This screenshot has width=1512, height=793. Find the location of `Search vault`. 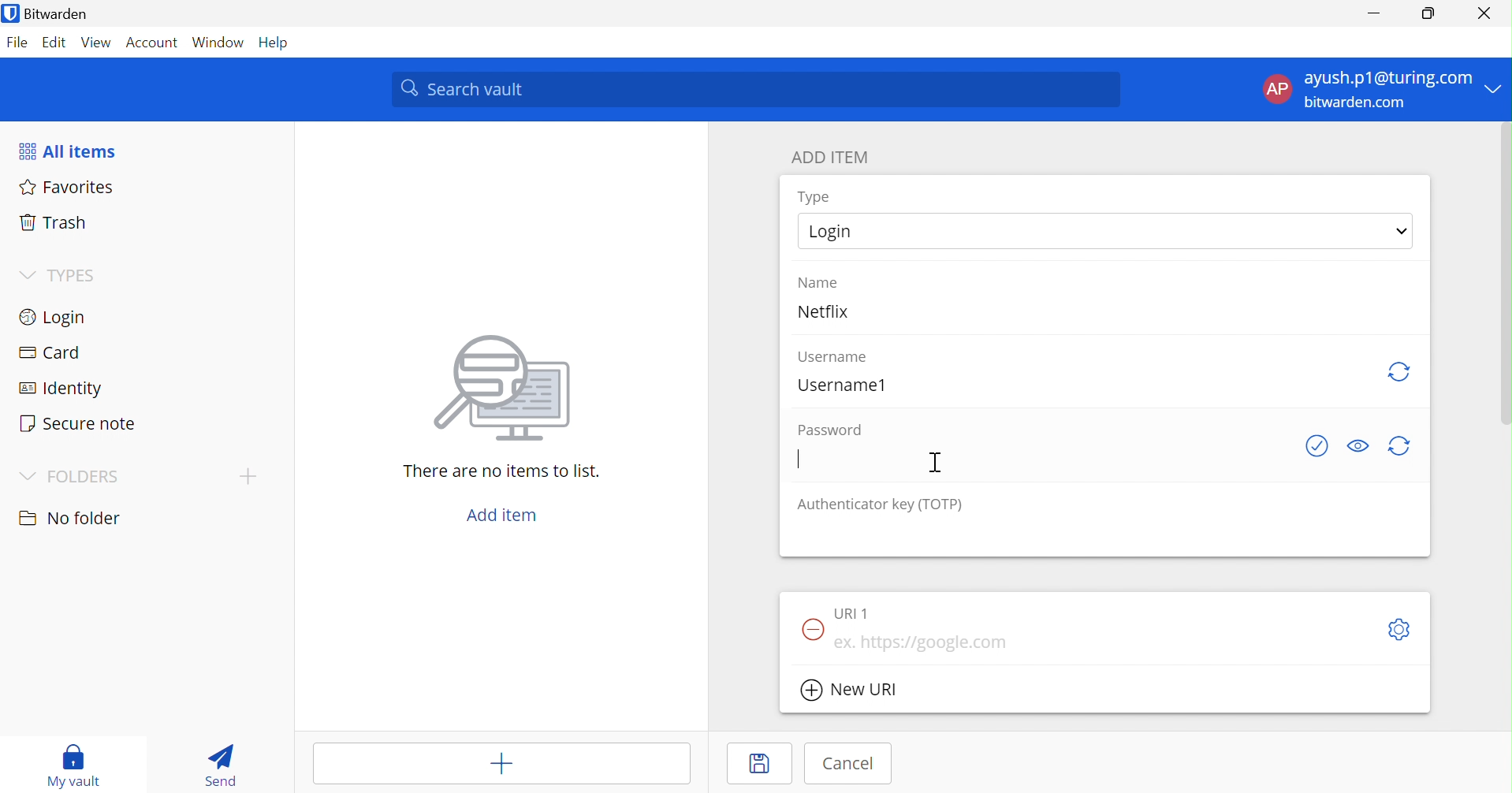

Search vault is located at coordinates (754, 88).